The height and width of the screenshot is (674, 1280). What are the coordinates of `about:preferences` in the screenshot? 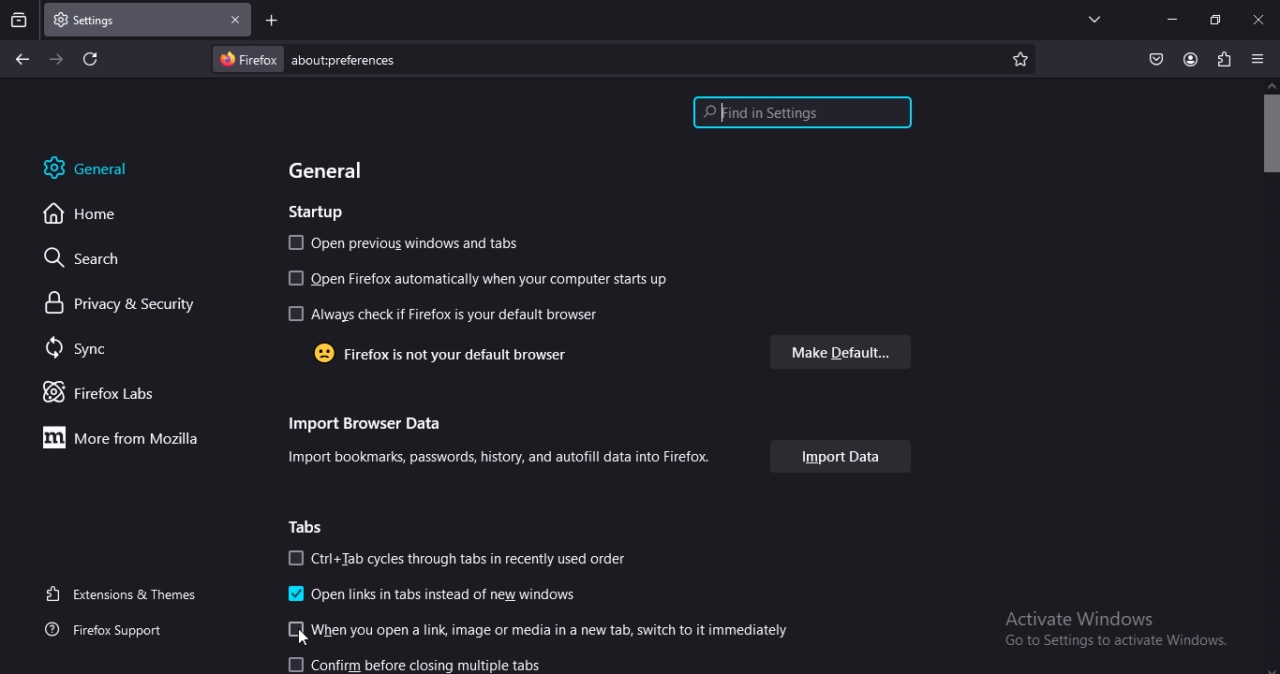 It's located at (586, 60).